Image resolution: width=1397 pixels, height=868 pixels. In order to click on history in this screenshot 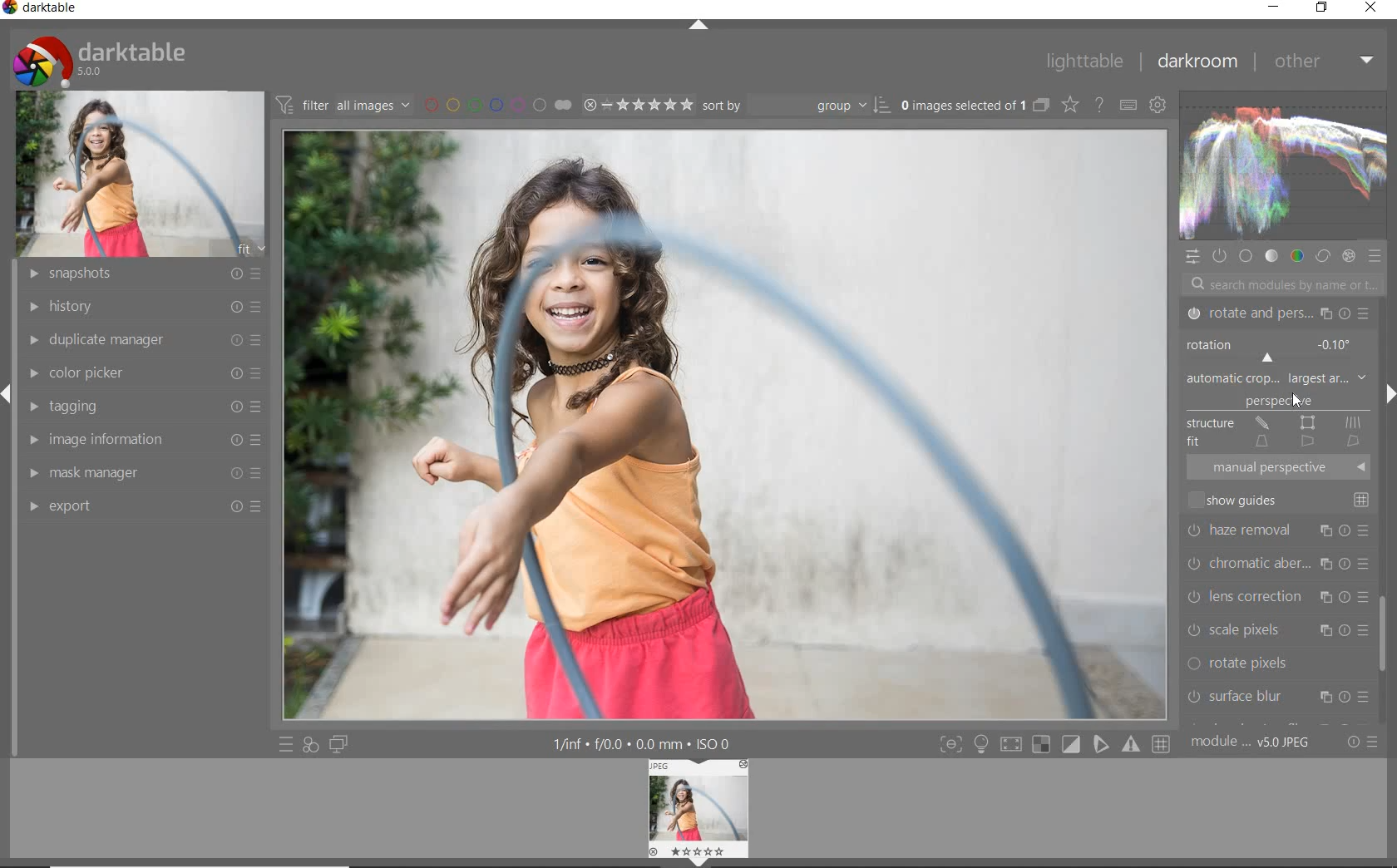, I will do `click(146, 306)`.